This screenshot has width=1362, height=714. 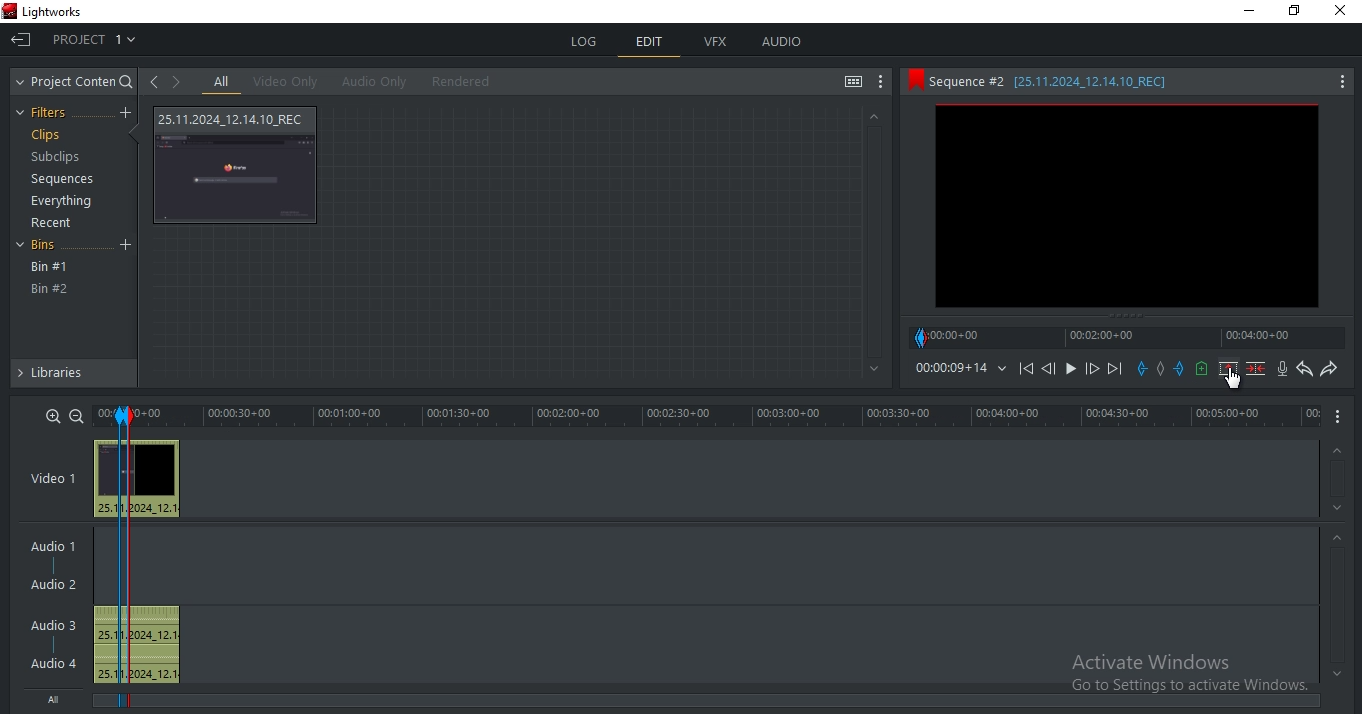 I want to click on More Options, so click(x=1342, y=417).